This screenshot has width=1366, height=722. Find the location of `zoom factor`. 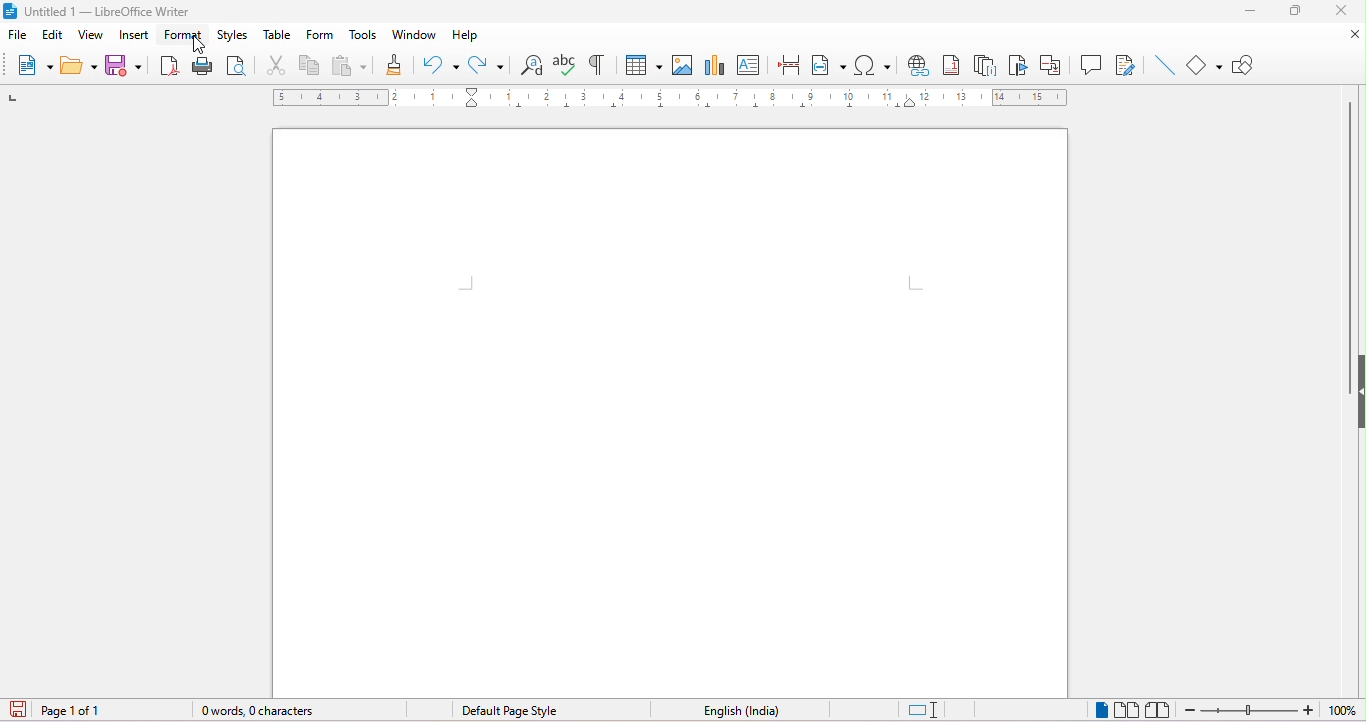

zoom factor is located at coordinates (1345, 710).